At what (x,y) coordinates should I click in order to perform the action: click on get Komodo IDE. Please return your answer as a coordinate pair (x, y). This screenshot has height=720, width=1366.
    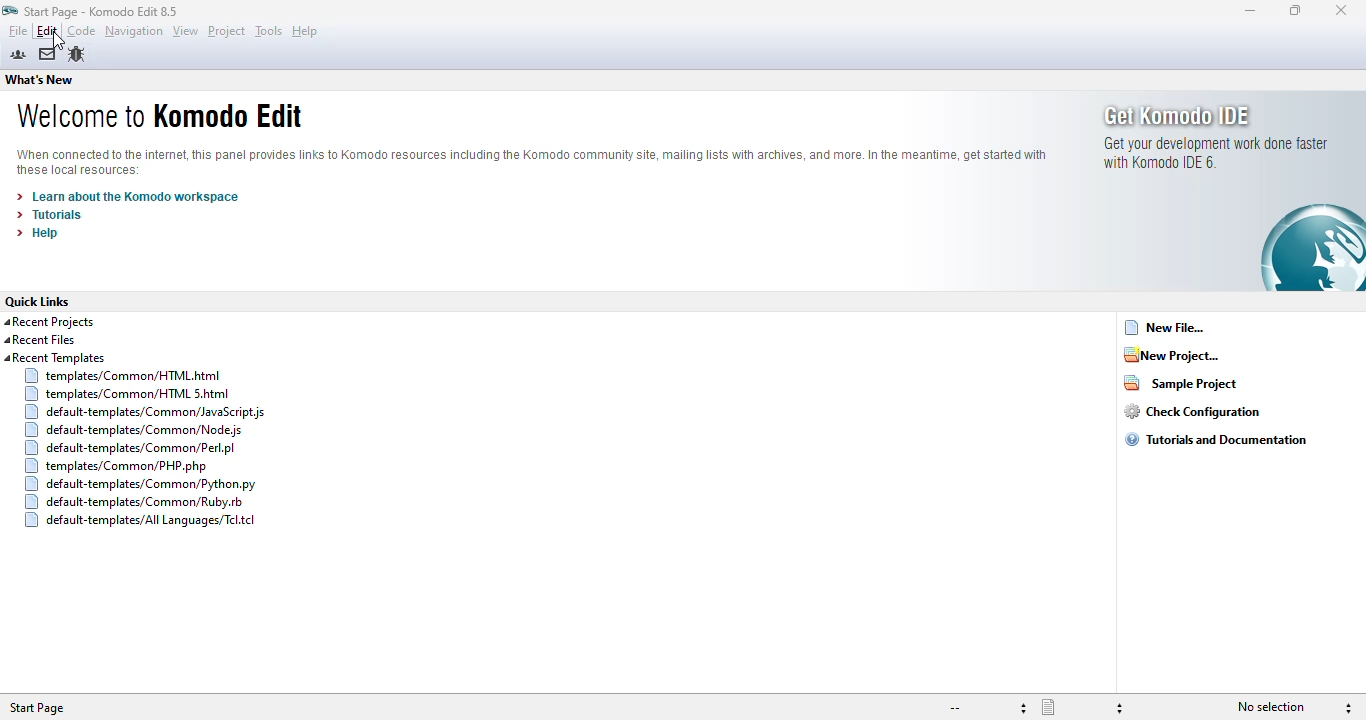
    Looking at the image, I should click on (1232, 190).